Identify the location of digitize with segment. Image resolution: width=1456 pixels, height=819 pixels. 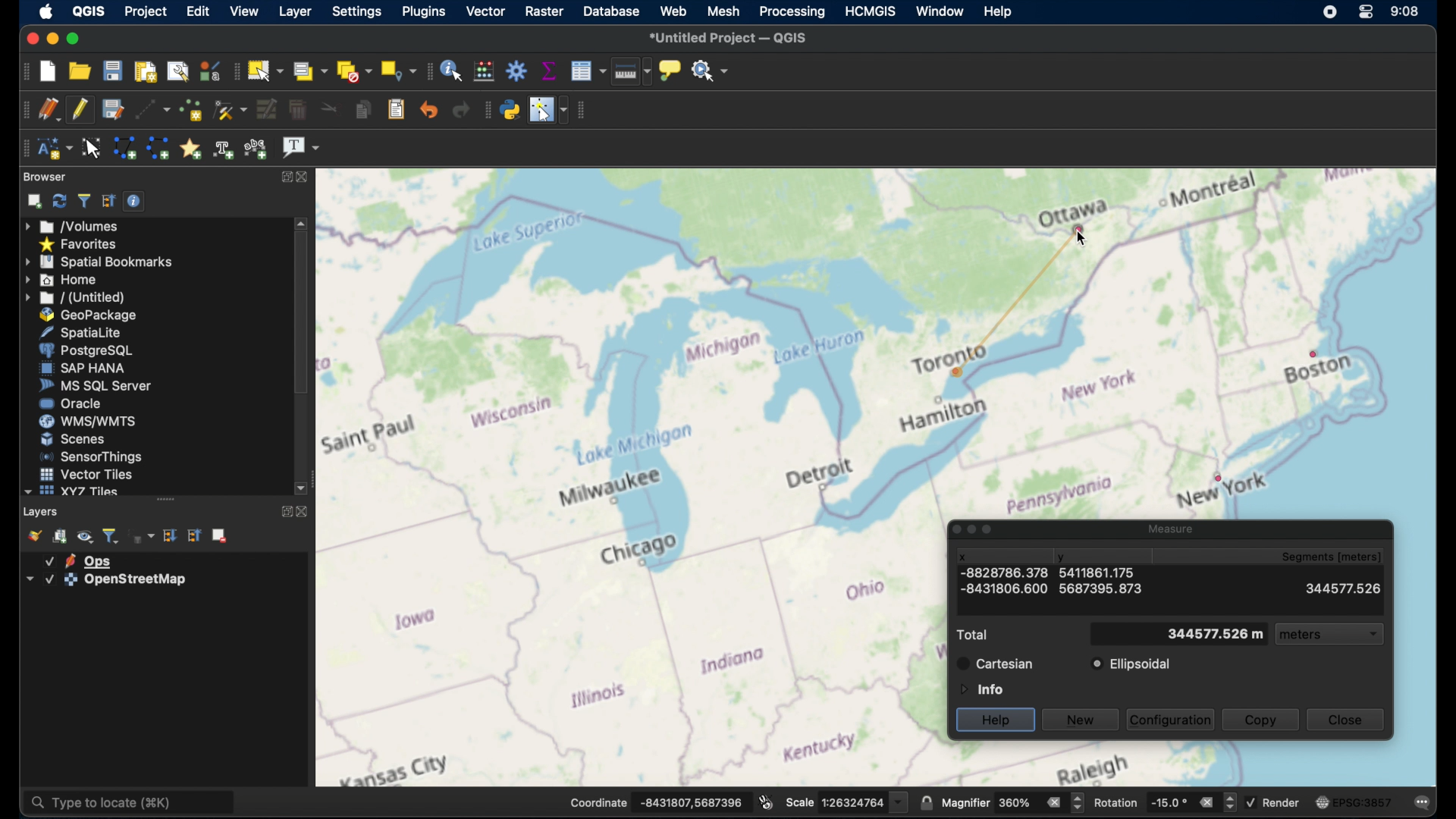
(152, 108).